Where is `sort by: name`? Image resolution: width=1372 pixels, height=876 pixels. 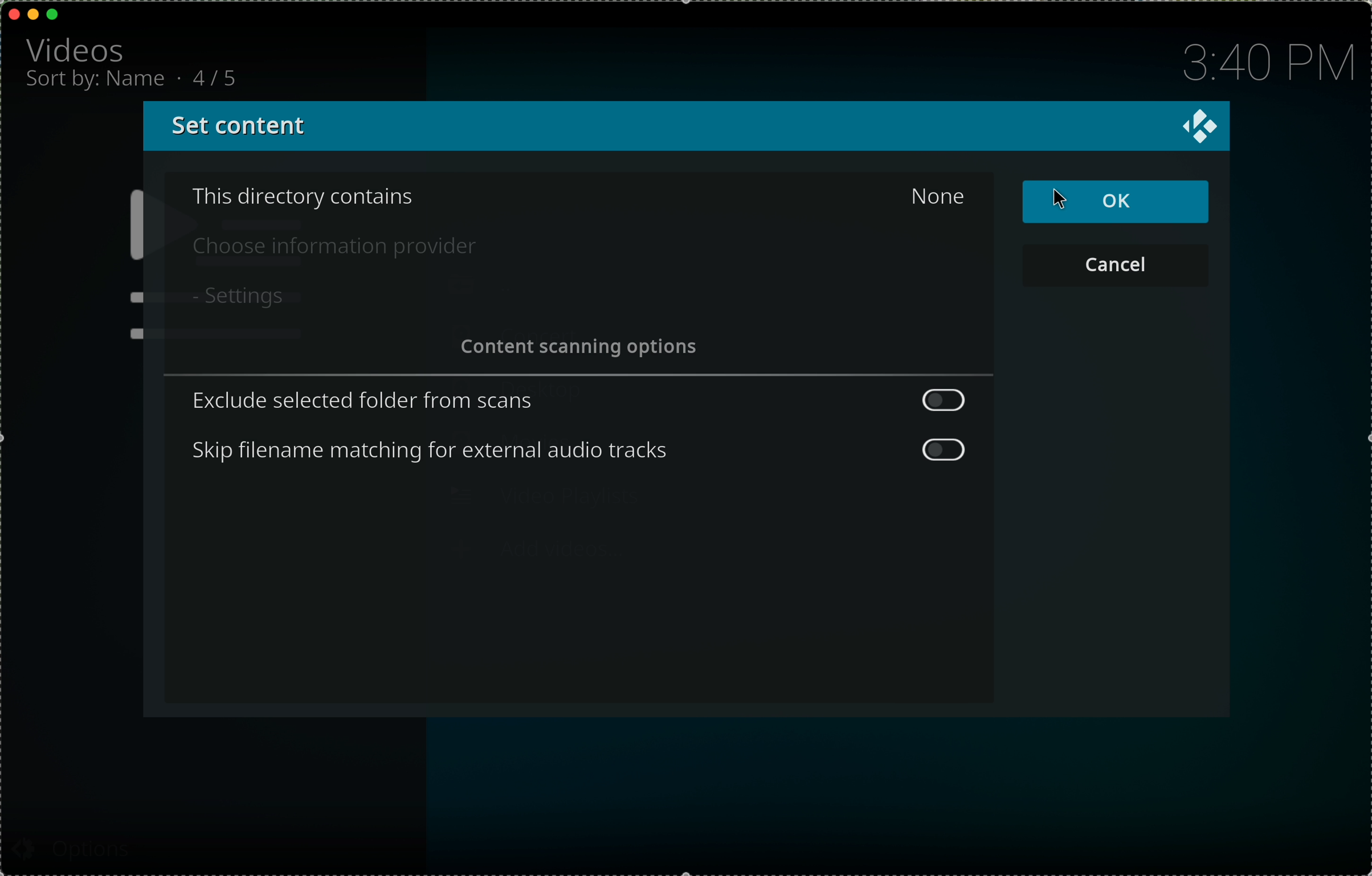 sort by: name is located at coordinates (97, 83).